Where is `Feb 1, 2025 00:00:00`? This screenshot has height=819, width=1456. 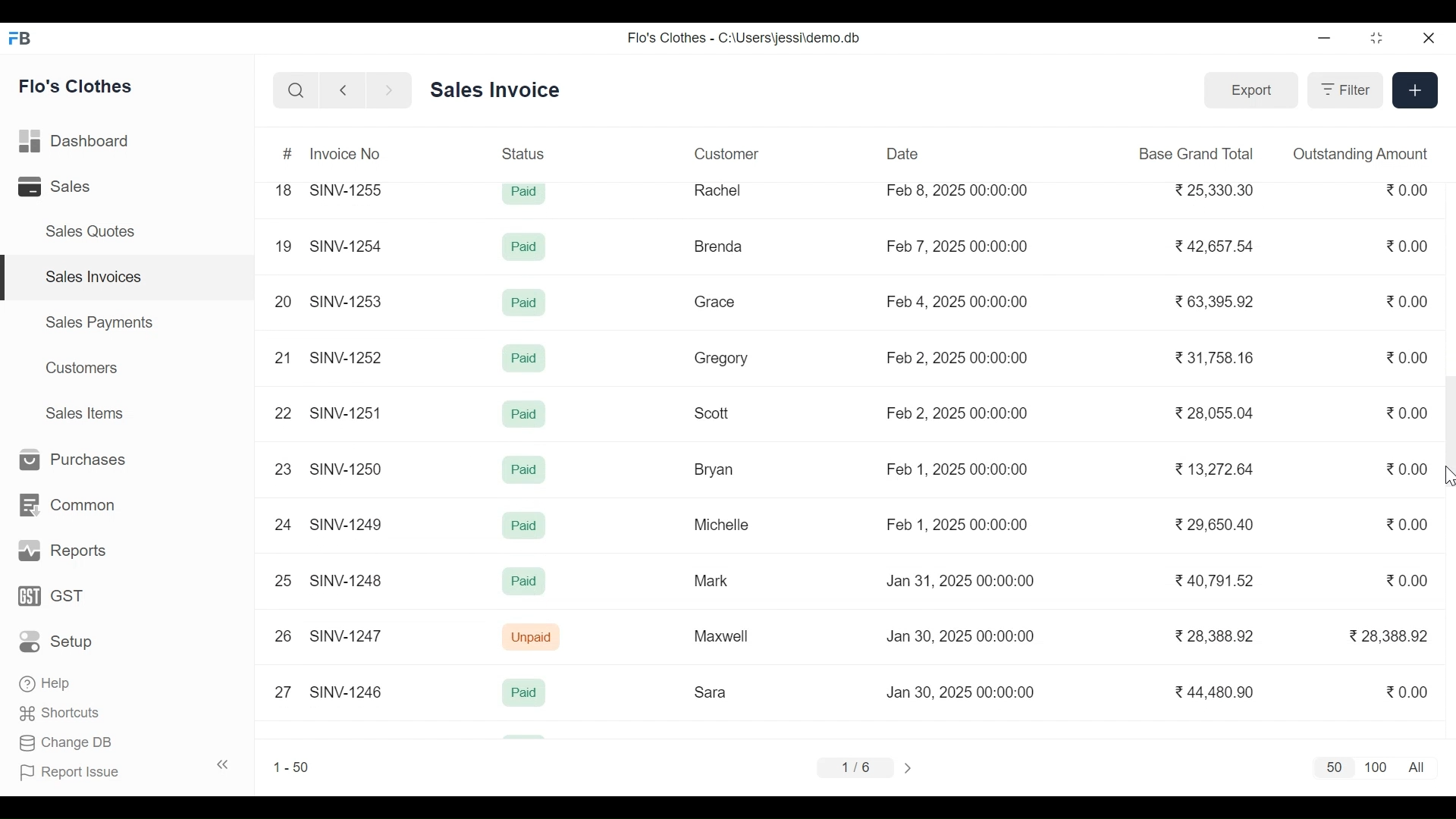 Feb 1, 2025 00:00:00 is located at coordinates (956, 525).